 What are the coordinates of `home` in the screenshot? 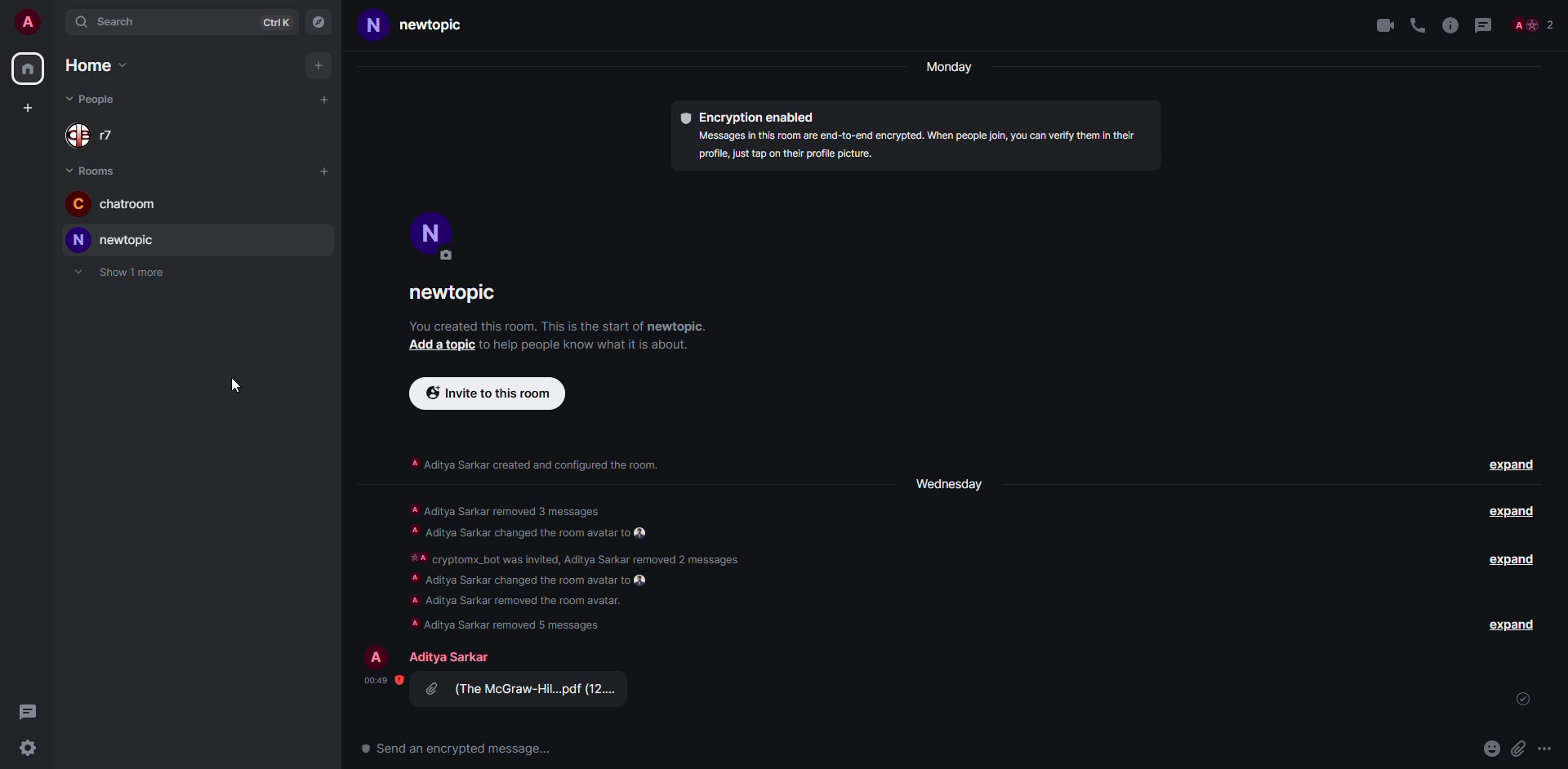 It's located at (95, 66).